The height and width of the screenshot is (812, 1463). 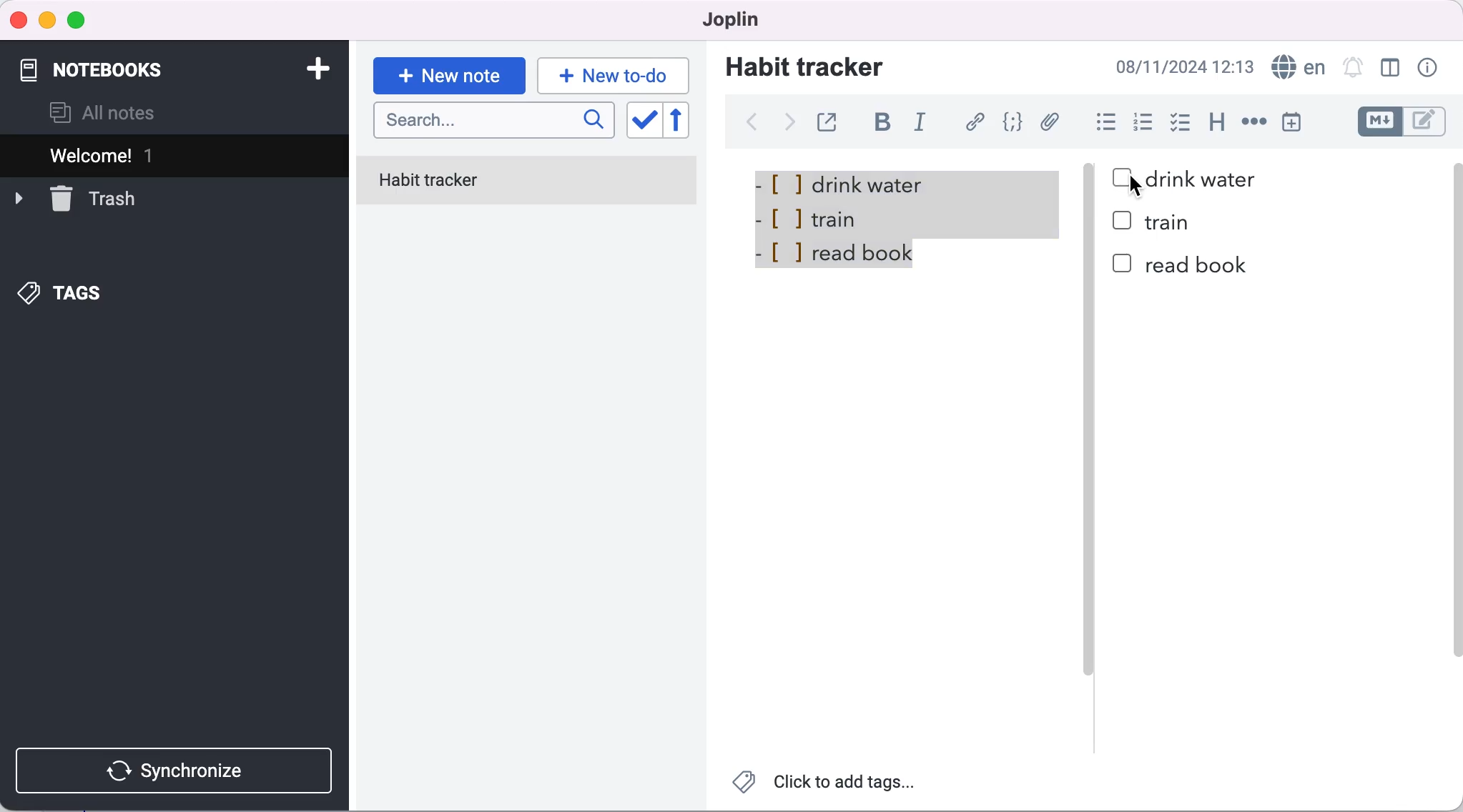 What do you see at coordinates (1119, 175) in the screenshot?
I see `check box 1` at bounding box center [1119, 175].